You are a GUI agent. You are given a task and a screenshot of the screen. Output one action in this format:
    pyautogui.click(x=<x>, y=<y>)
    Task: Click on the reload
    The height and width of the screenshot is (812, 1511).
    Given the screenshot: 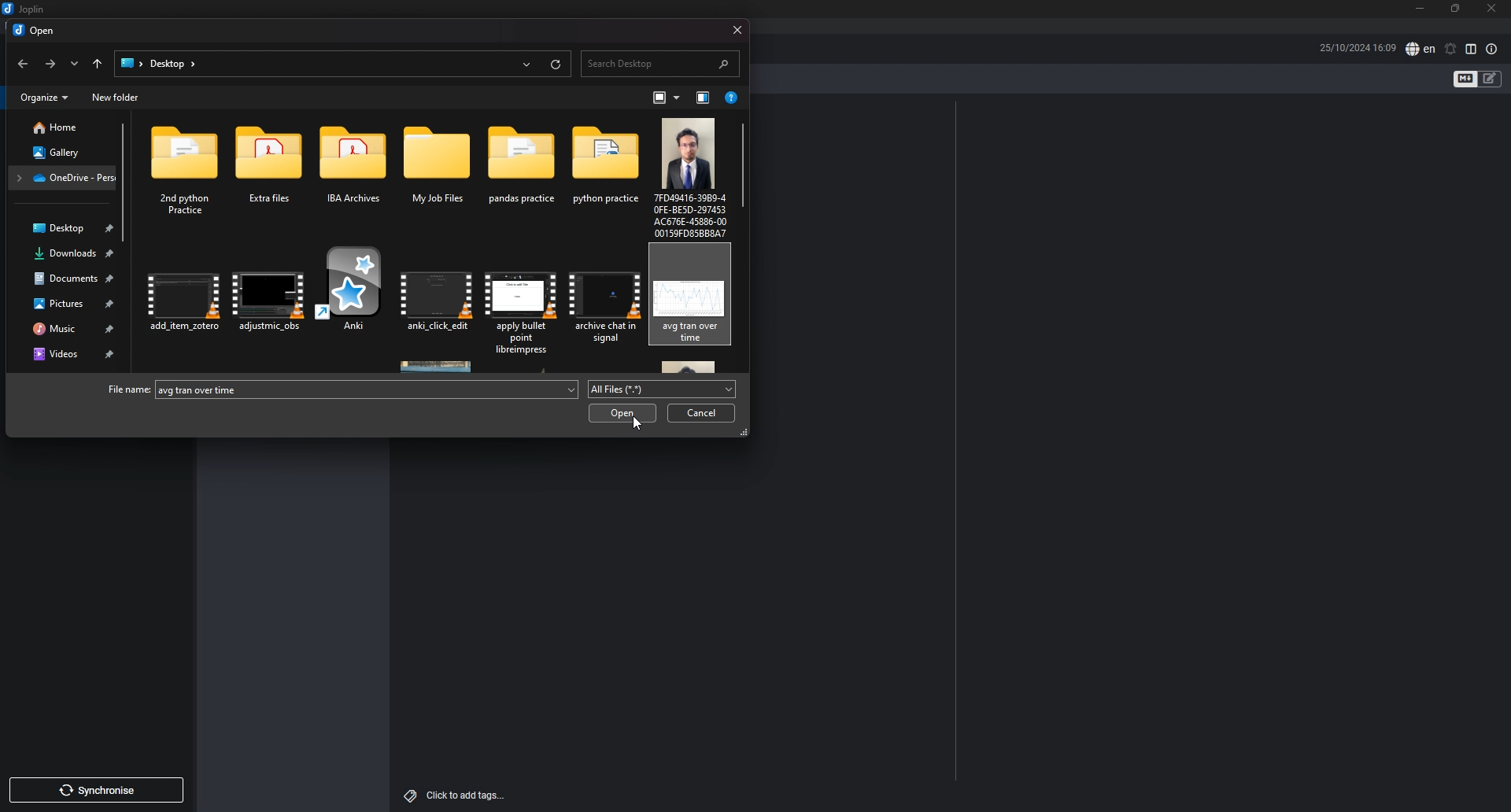 What is the action you would take?
    pyautogui.click(x=553, y=65)
    